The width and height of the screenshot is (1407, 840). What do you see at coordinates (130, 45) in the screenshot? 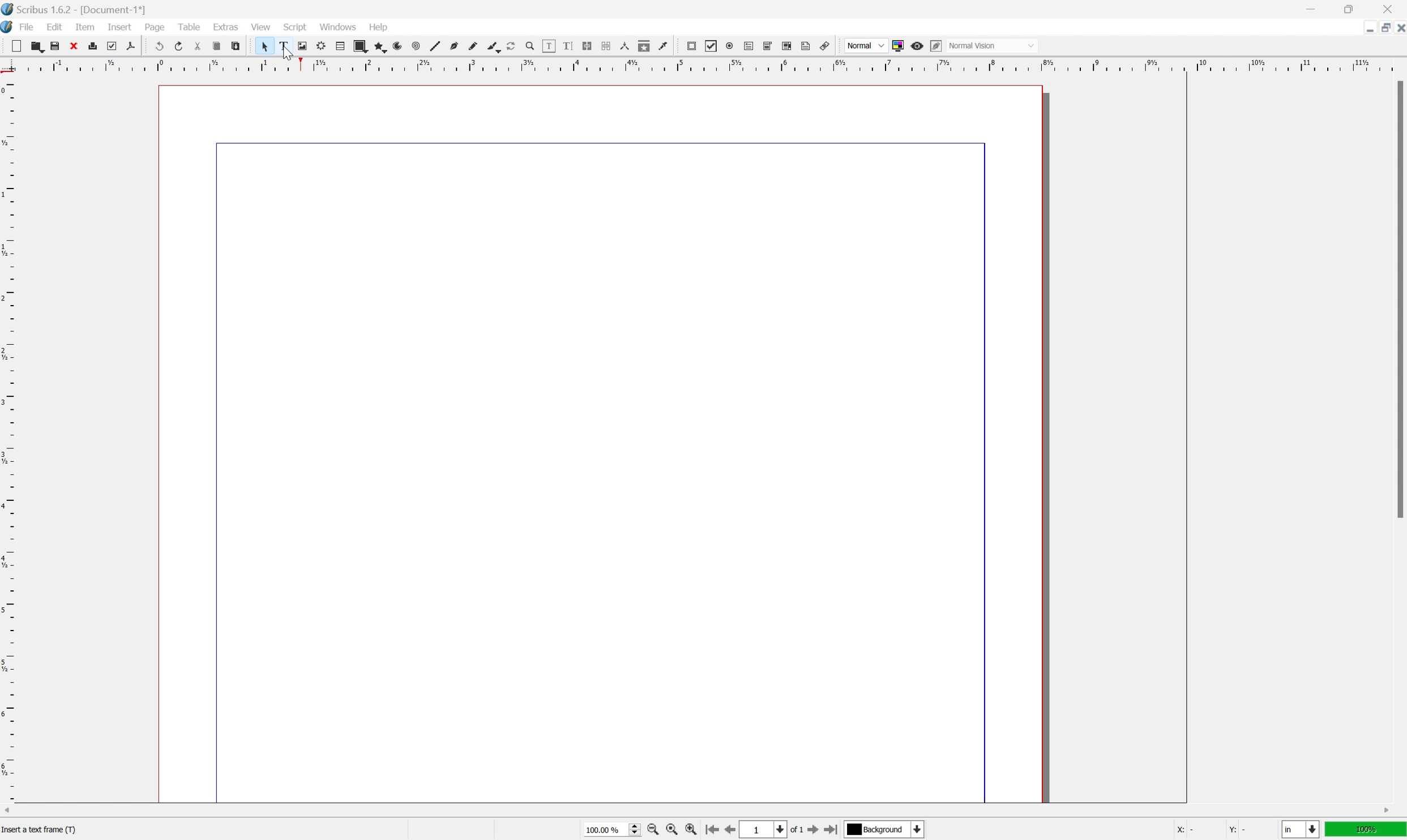
I see `save as pdf` at bounding box center [130, 45].